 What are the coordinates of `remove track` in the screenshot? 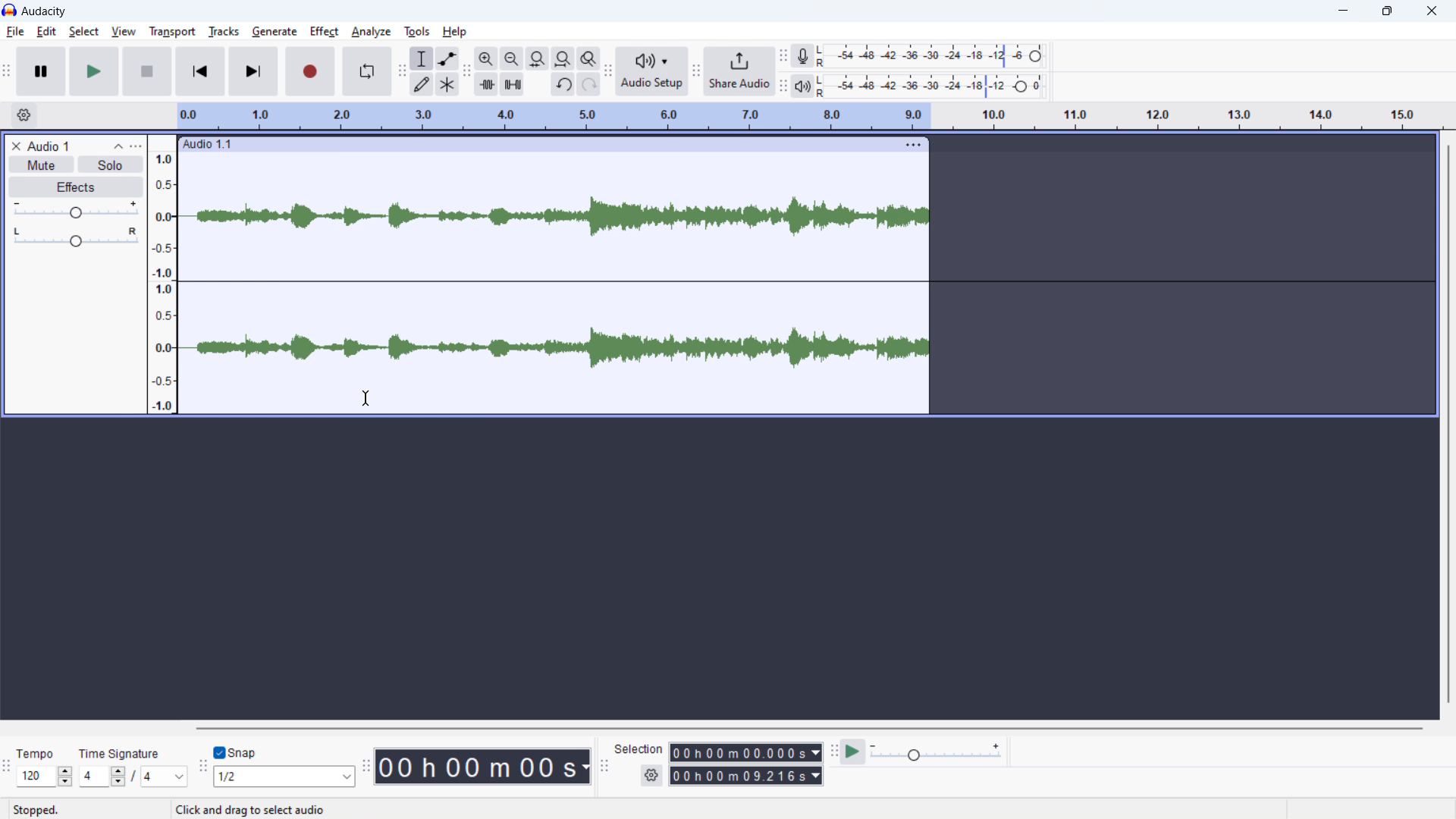 It's located at (15, 146).